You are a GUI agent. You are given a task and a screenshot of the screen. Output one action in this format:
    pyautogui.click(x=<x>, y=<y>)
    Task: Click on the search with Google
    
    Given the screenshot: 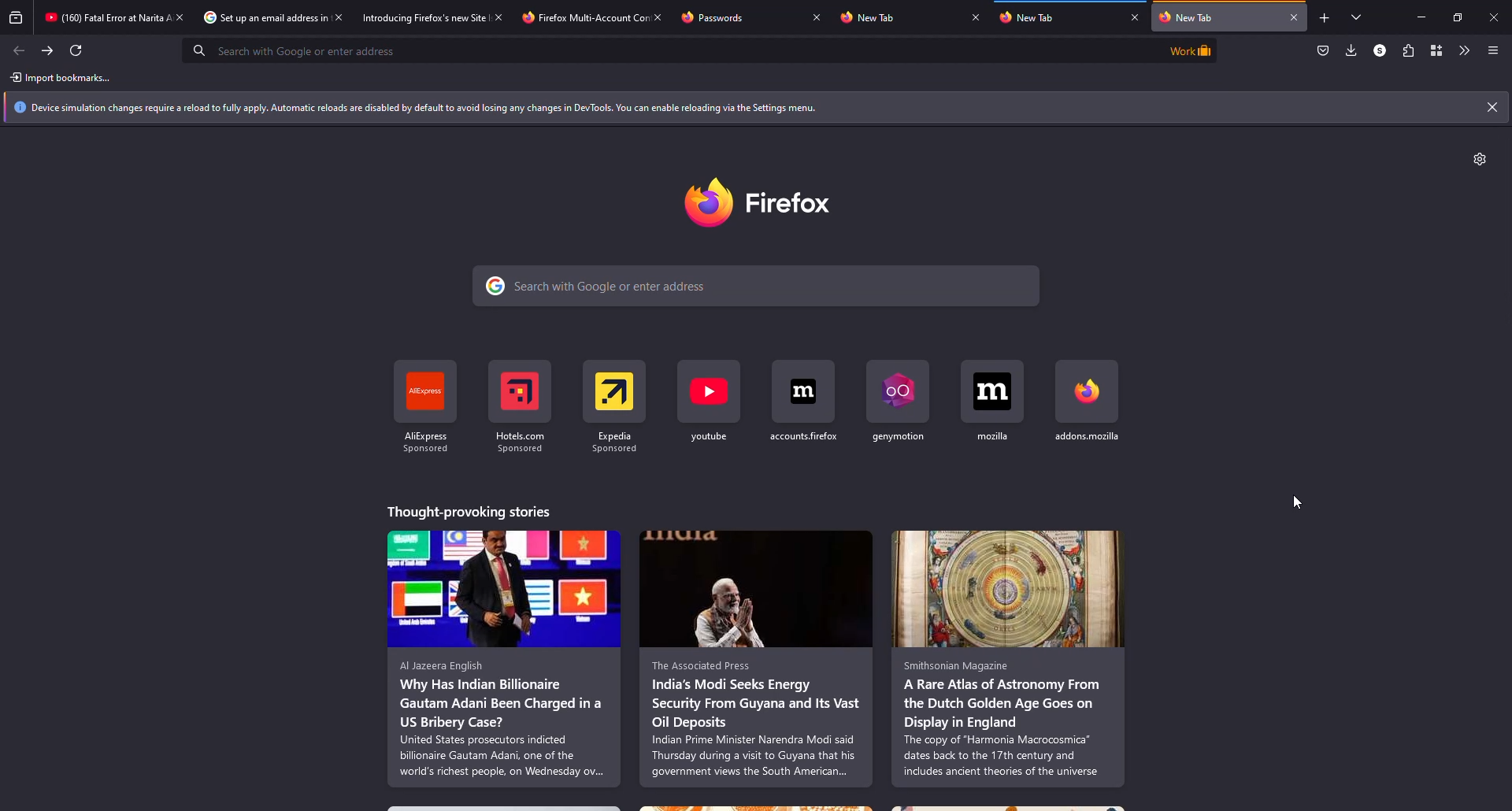 What is the action you would take?
    pyautogui.click(x=756, y=286)
    